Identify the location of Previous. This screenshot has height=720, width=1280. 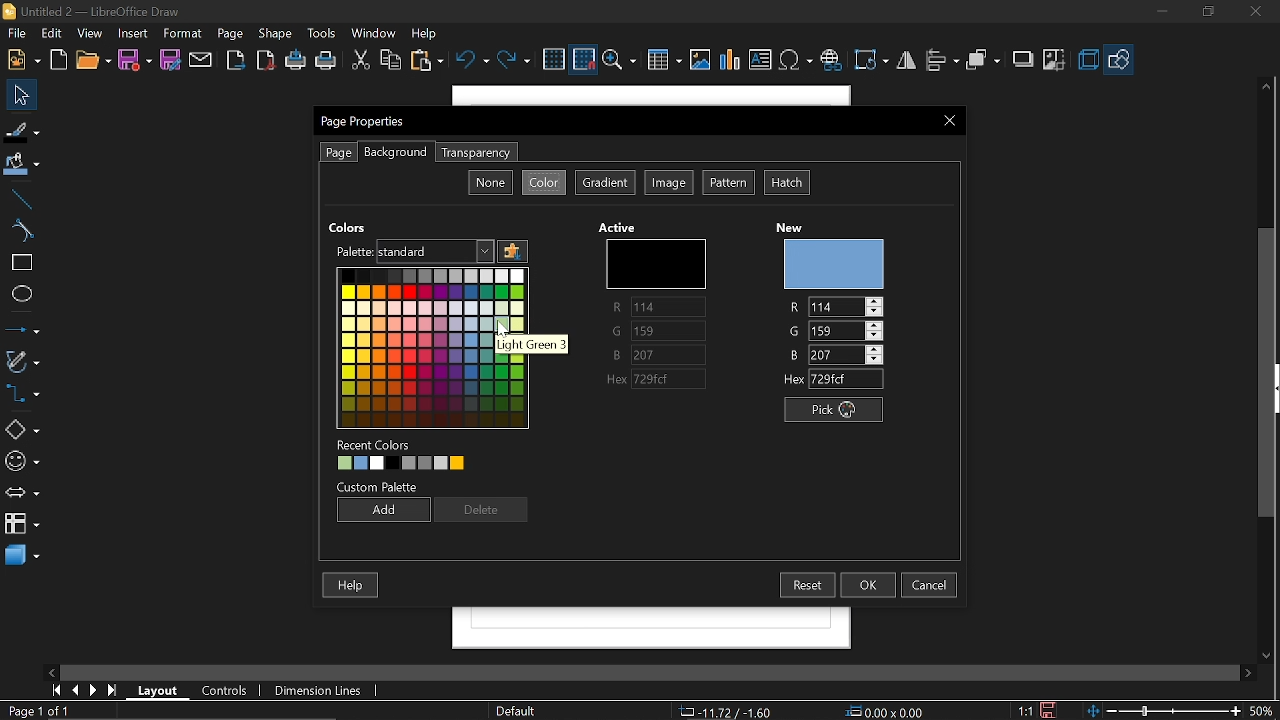
(77, 691).